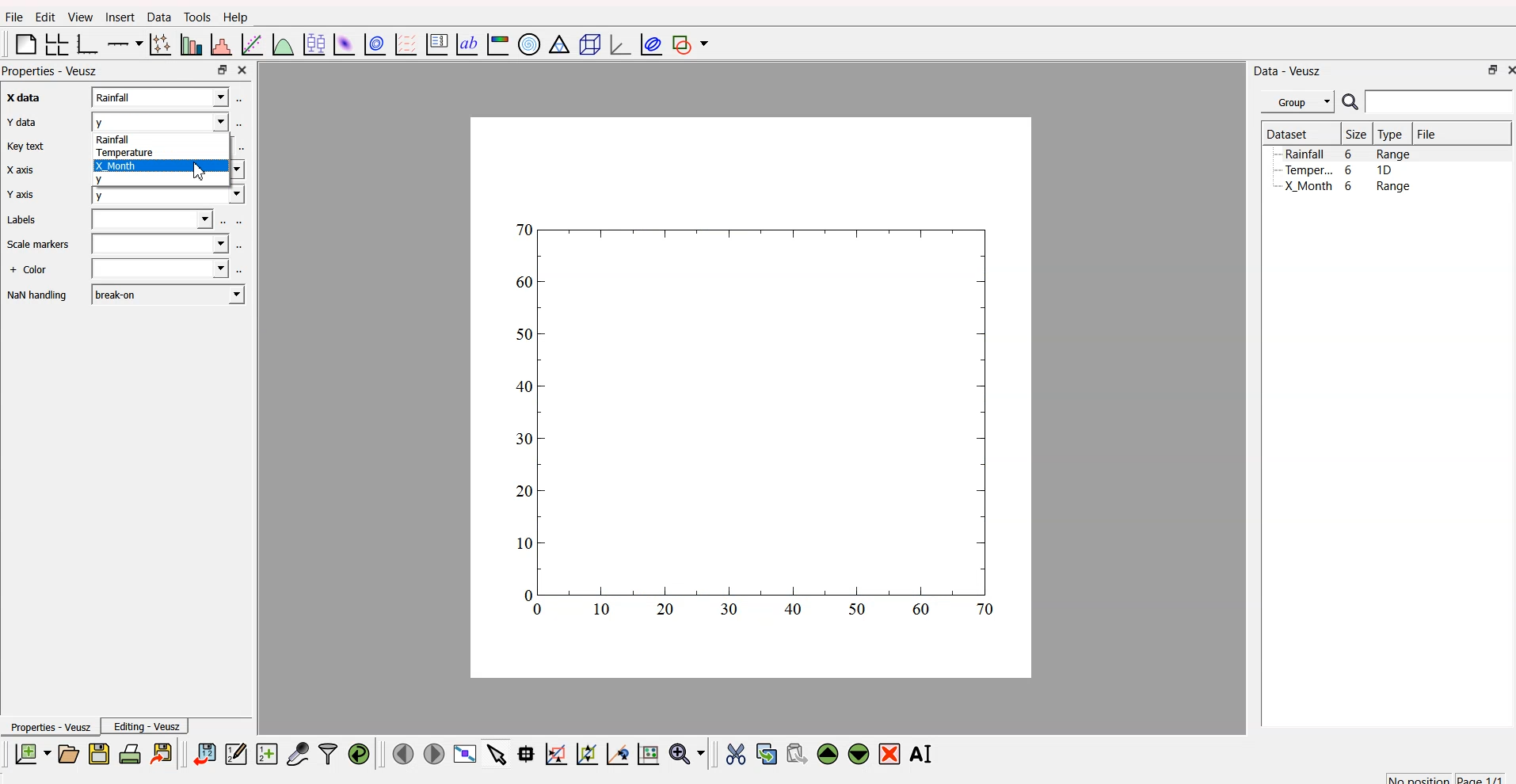 Image resolution: width=1516 pixels, height=784 pixels. What do you see at coordinates (436, 45) in the screenshot?
I see `plot key` at bounding box center [436, 45].